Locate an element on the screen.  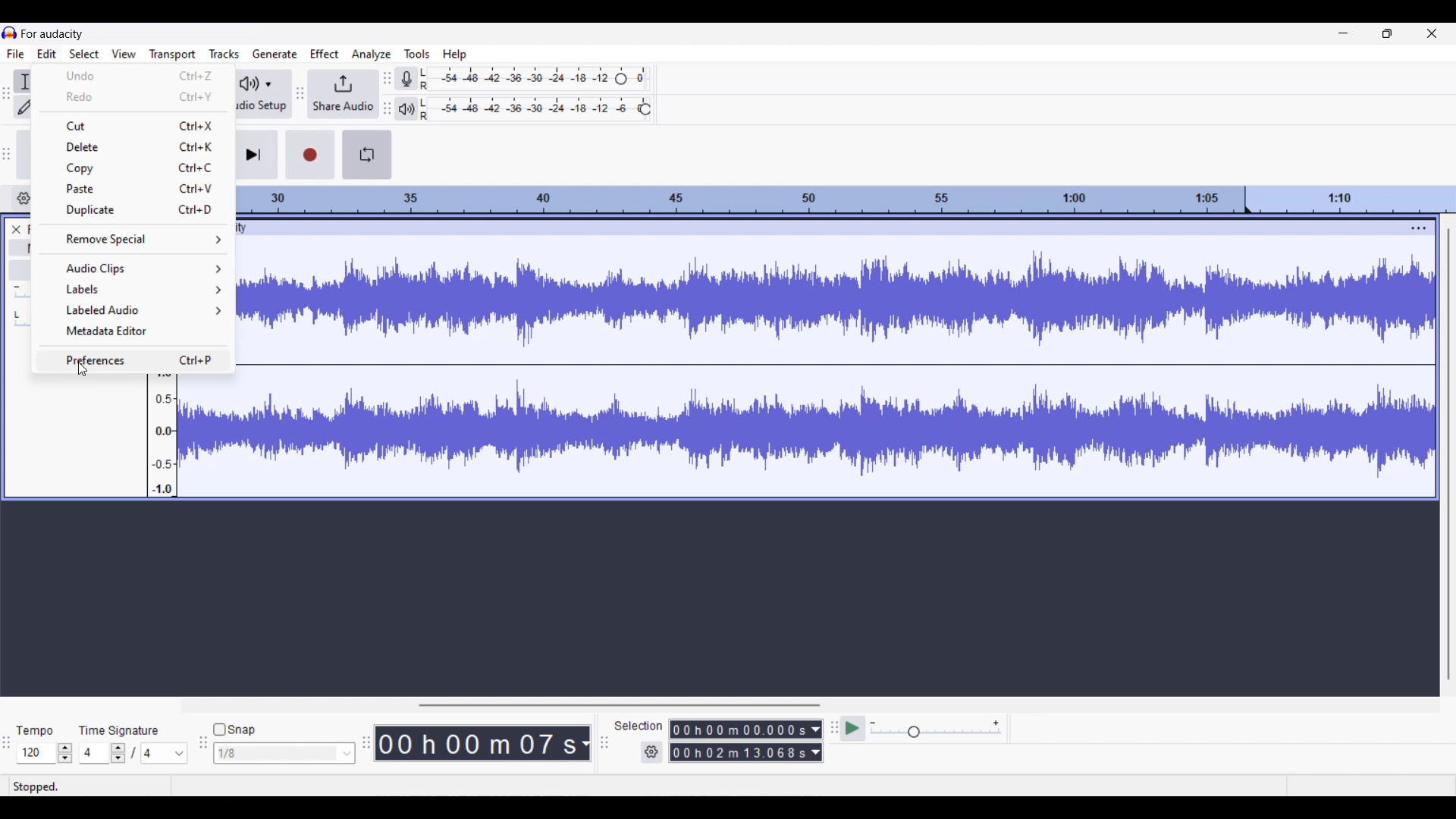
Show in smaller tab is located at coordinates (1387, 33).